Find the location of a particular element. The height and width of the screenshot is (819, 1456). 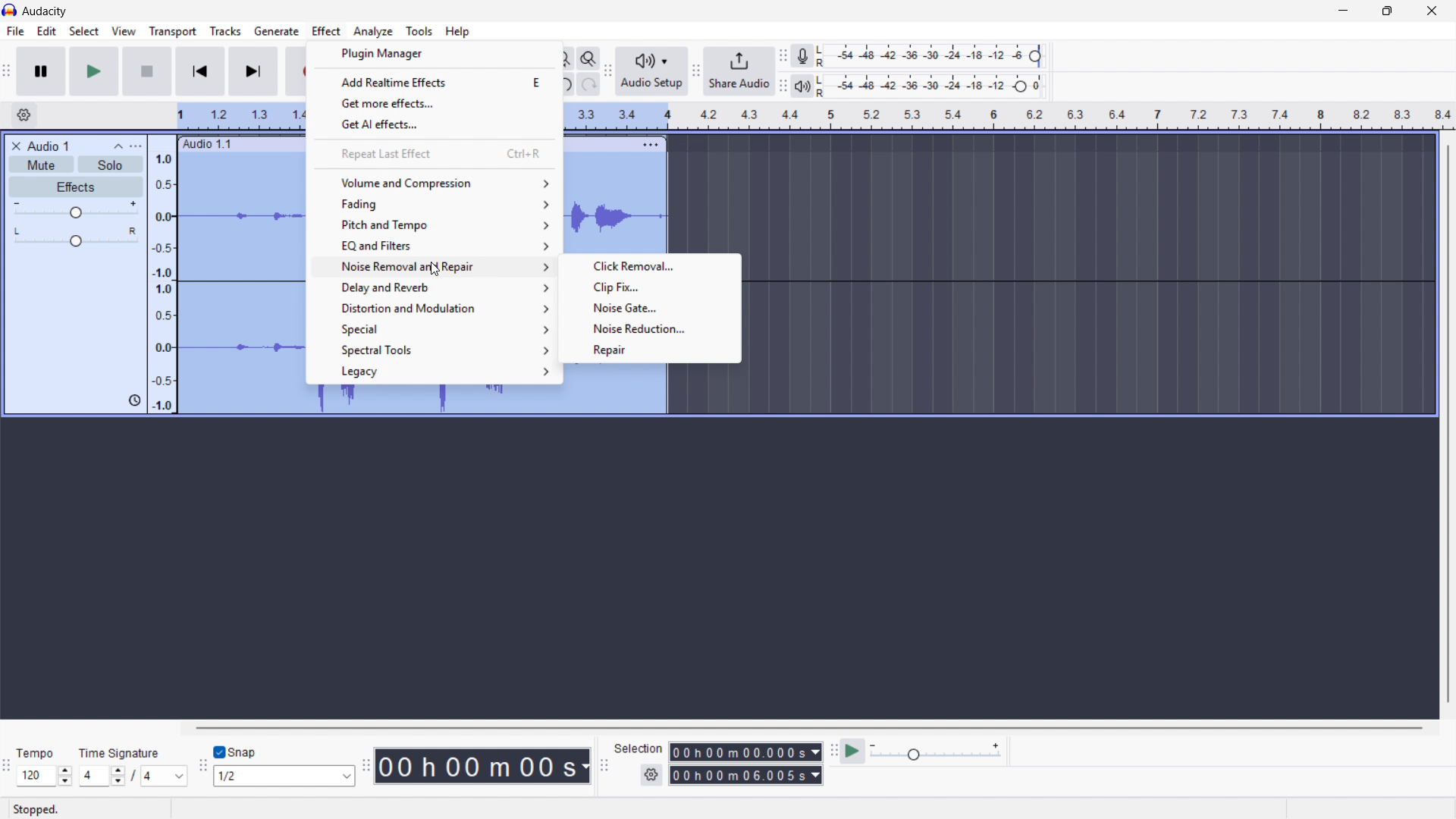

Transport is located at coordinates (173, 32).